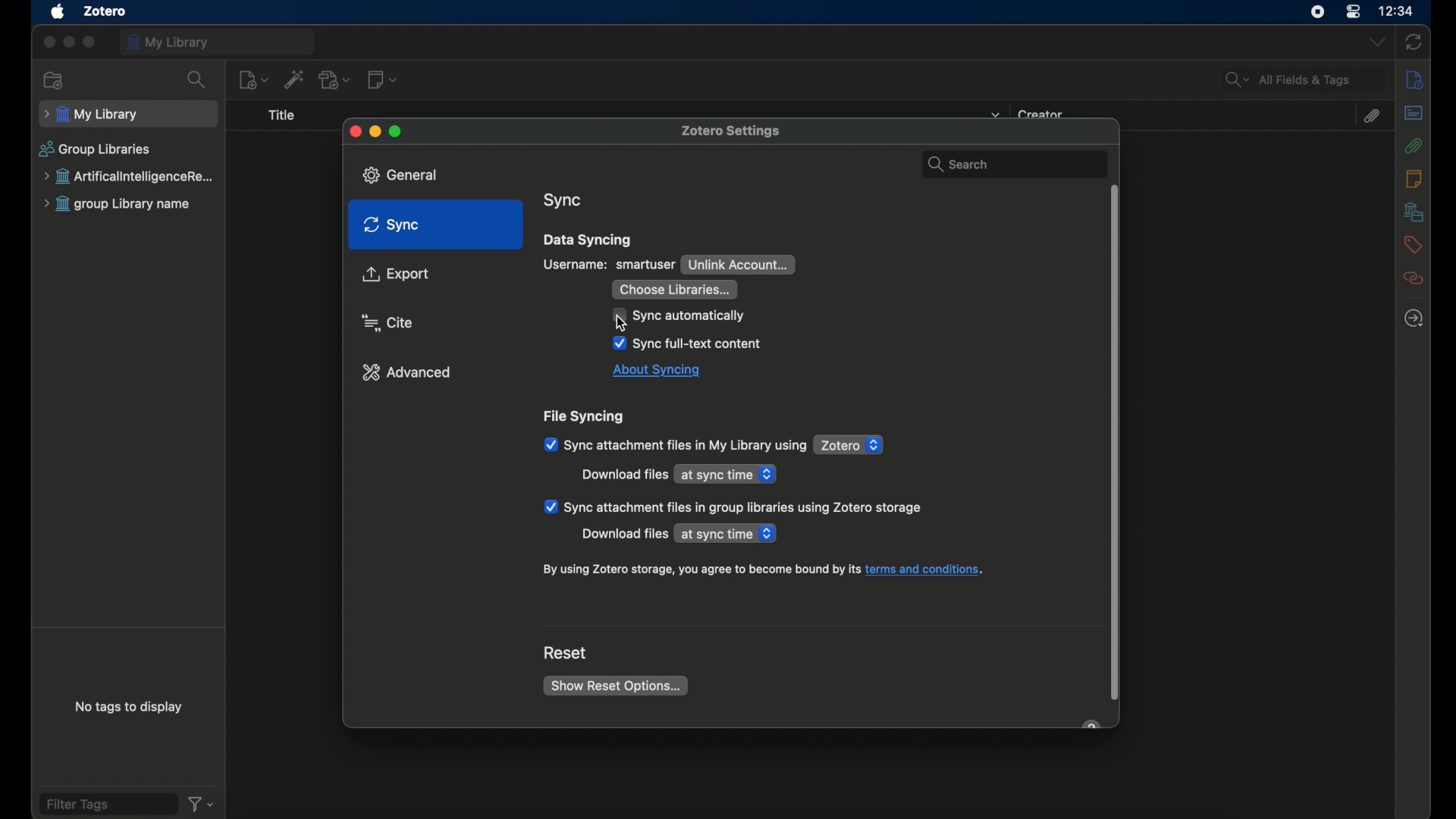 The image size is (1456, 819). Describe the element at coordinates (1413, 279) in the screenshot. I see `related` at that location.